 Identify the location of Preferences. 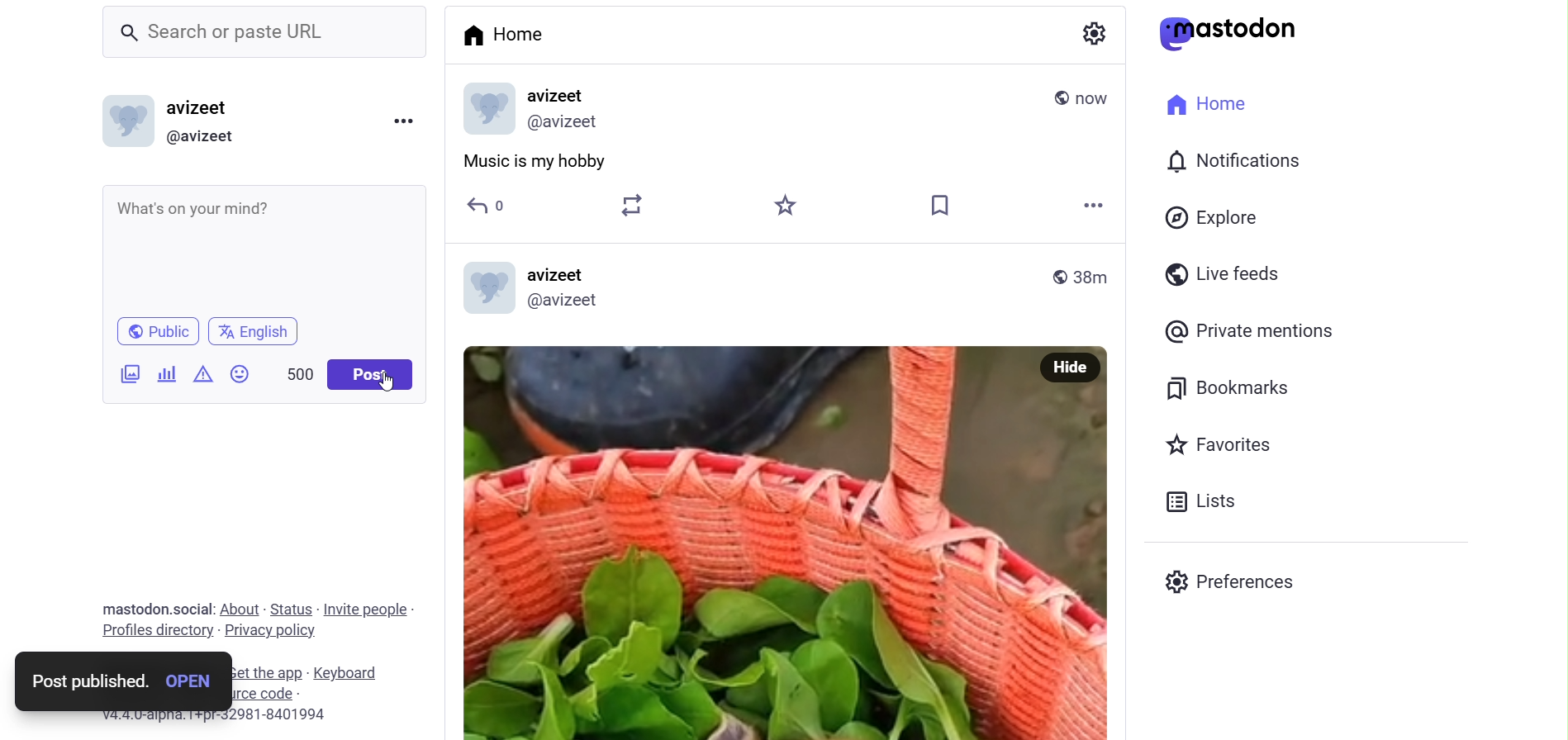
(1232, 583).